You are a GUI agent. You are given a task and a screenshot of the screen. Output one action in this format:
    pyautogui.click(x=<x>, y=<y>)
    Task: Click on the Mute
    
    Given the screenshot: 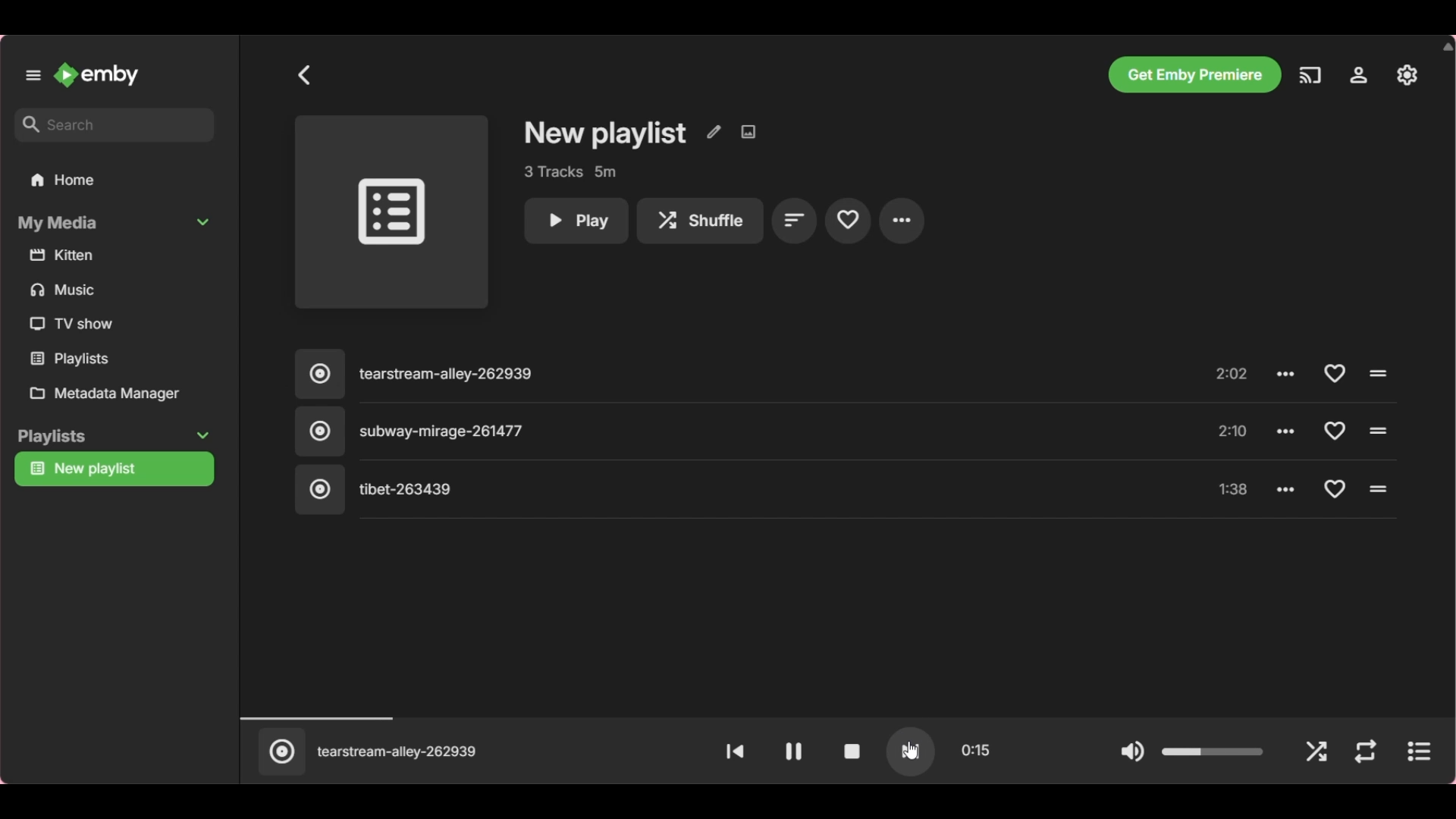 What is the action you would take?
    pyautogui.click(x=1134, y=752)
    